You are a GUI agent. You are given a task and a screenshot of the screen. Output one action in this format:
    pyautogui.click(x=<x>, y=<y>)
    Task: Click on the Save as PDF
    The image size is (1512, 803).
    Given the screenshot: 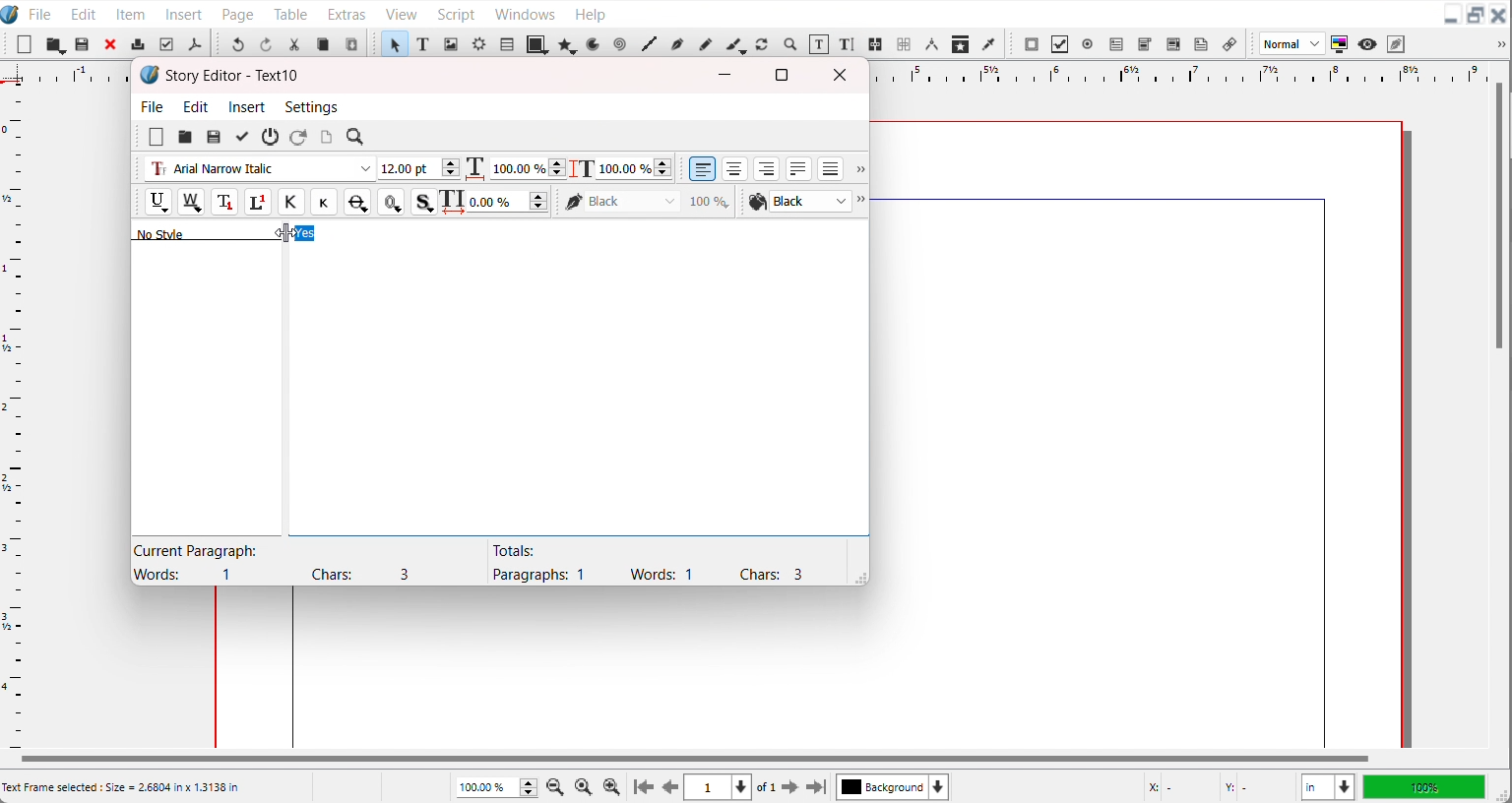 What is the action you would take?
    pyautogui.click(x=194, y=44)
    